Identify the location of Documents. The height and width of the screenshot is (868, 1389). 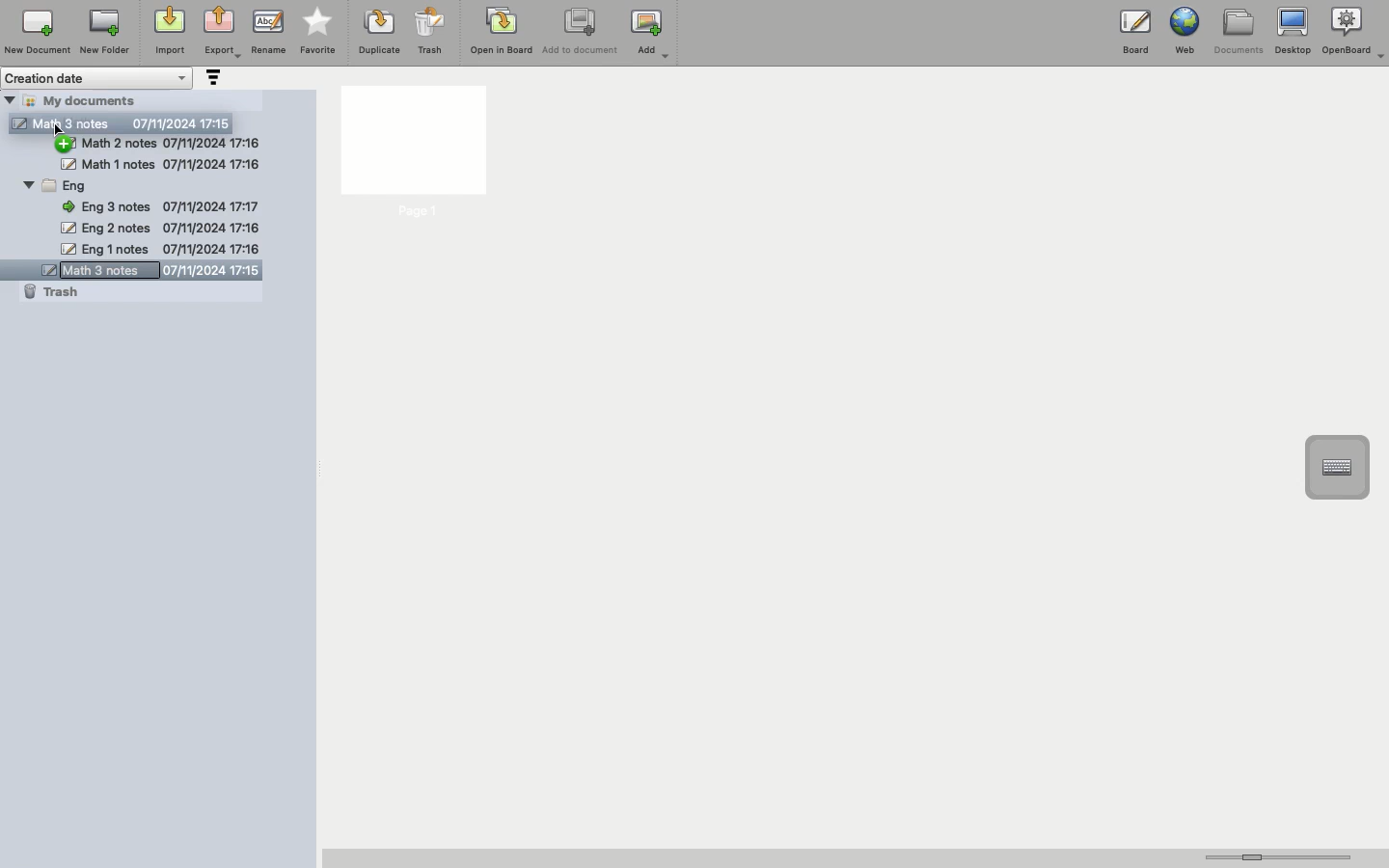
(1238, 32).